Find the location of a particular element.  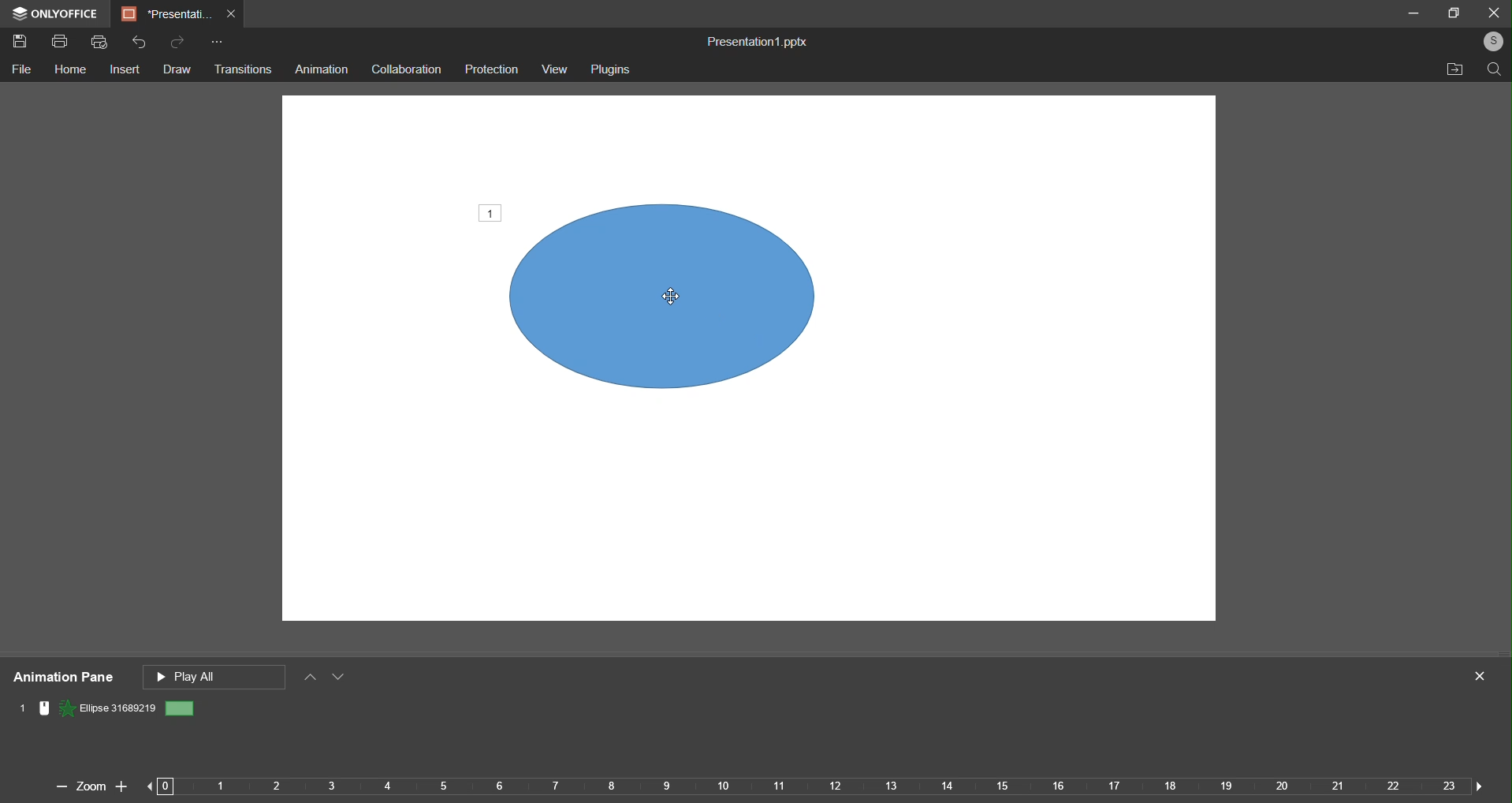

insert is located at coordinates (125, 71).